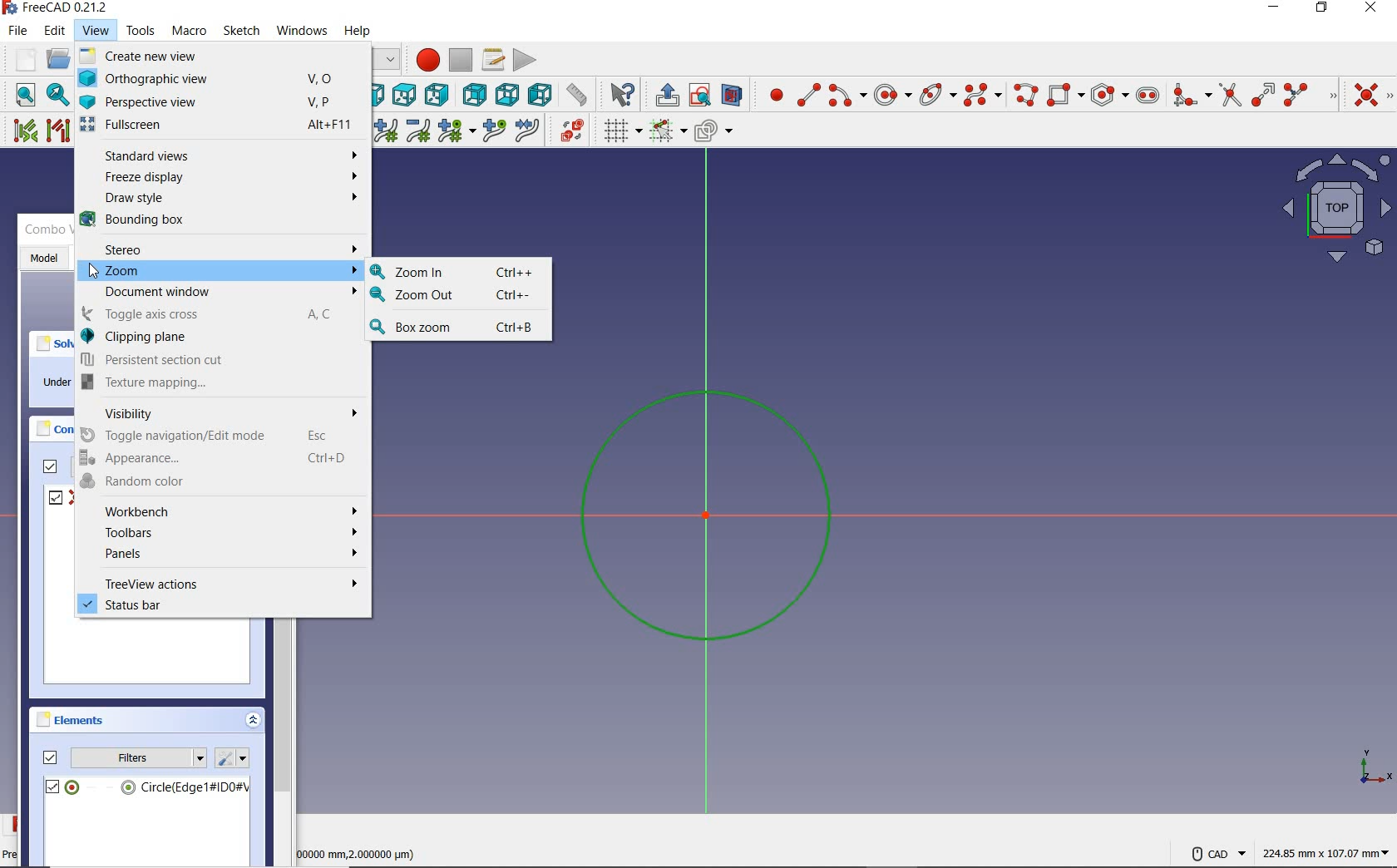  I want to click on switch virtual space, so click(569, 131).